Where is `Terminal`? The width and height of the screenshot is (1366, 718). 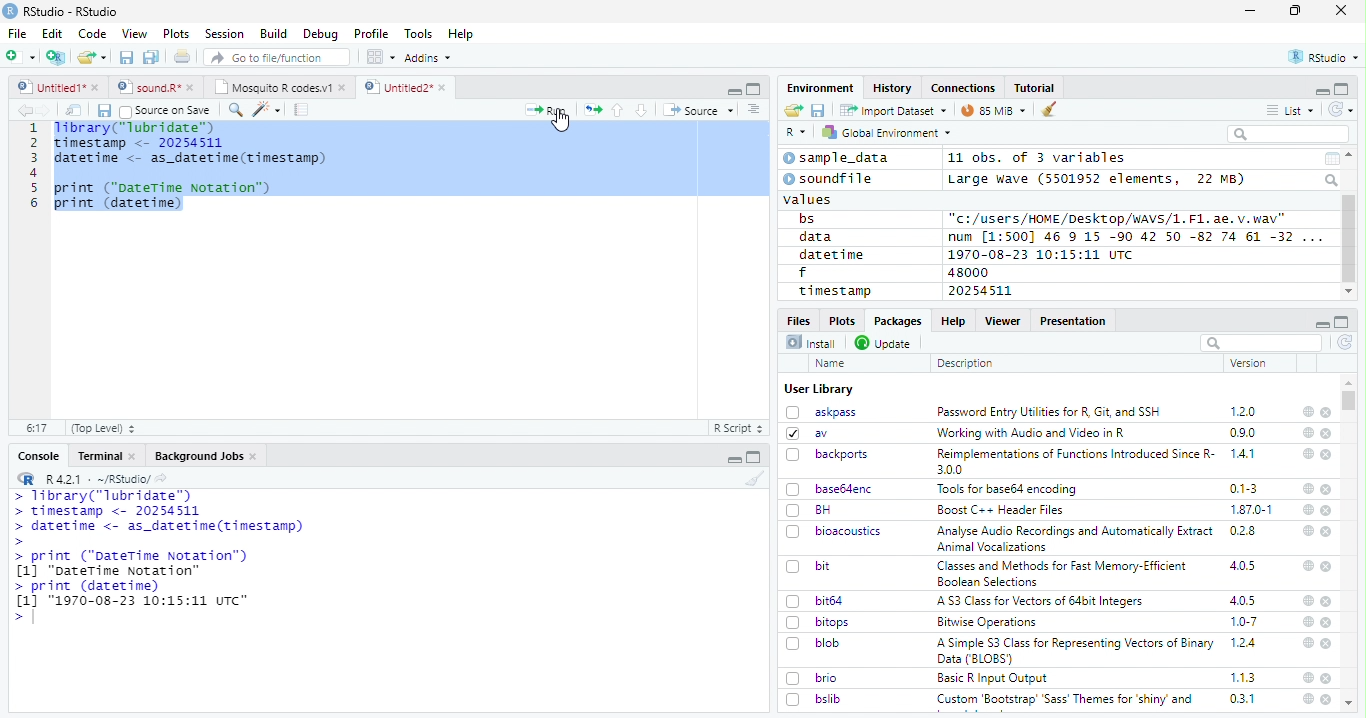
Terminal is located at coordinates (106, 456).